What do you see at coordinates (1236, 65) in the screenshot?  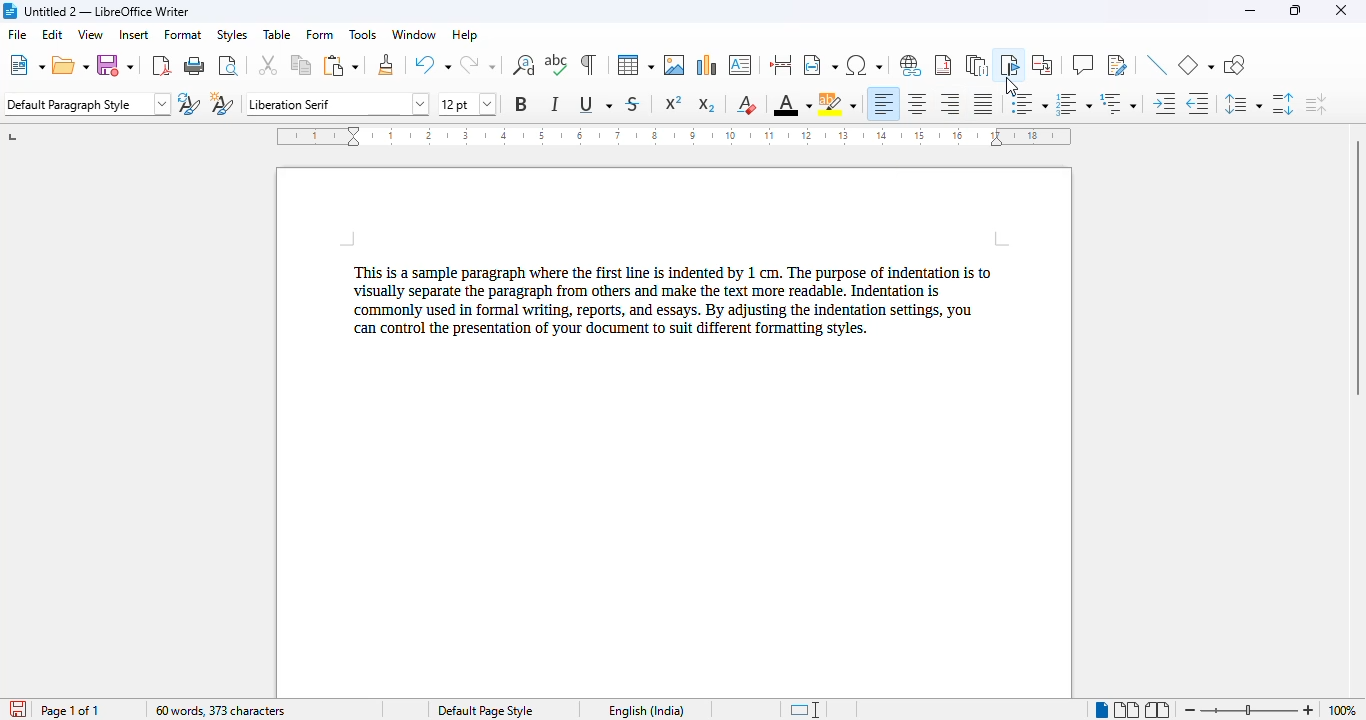 I see `show draw functions` at bounding box center [1236, 65].